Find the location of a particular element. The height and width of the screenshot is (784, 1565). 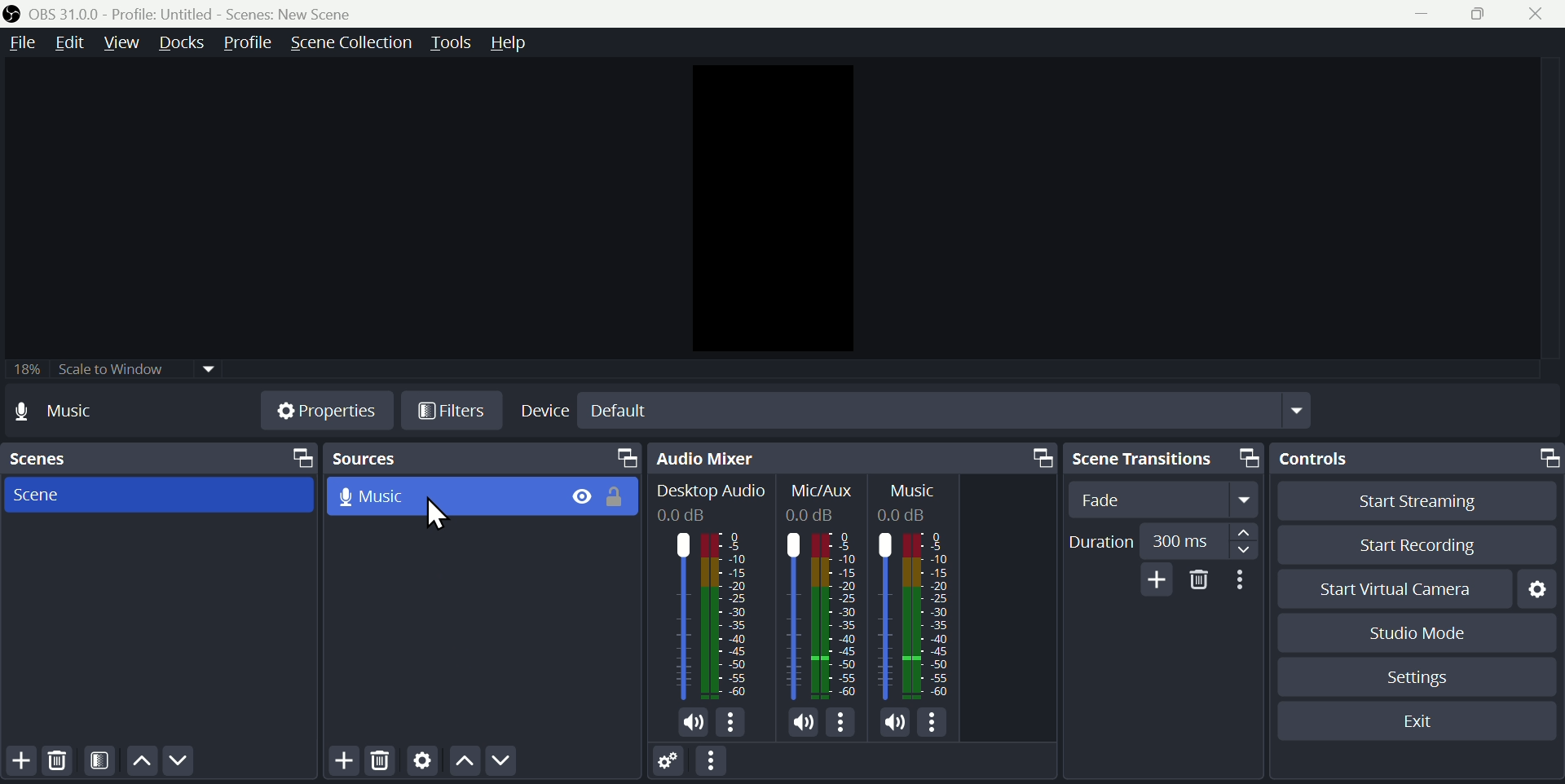

Properties is located at coordinates (322, 411).